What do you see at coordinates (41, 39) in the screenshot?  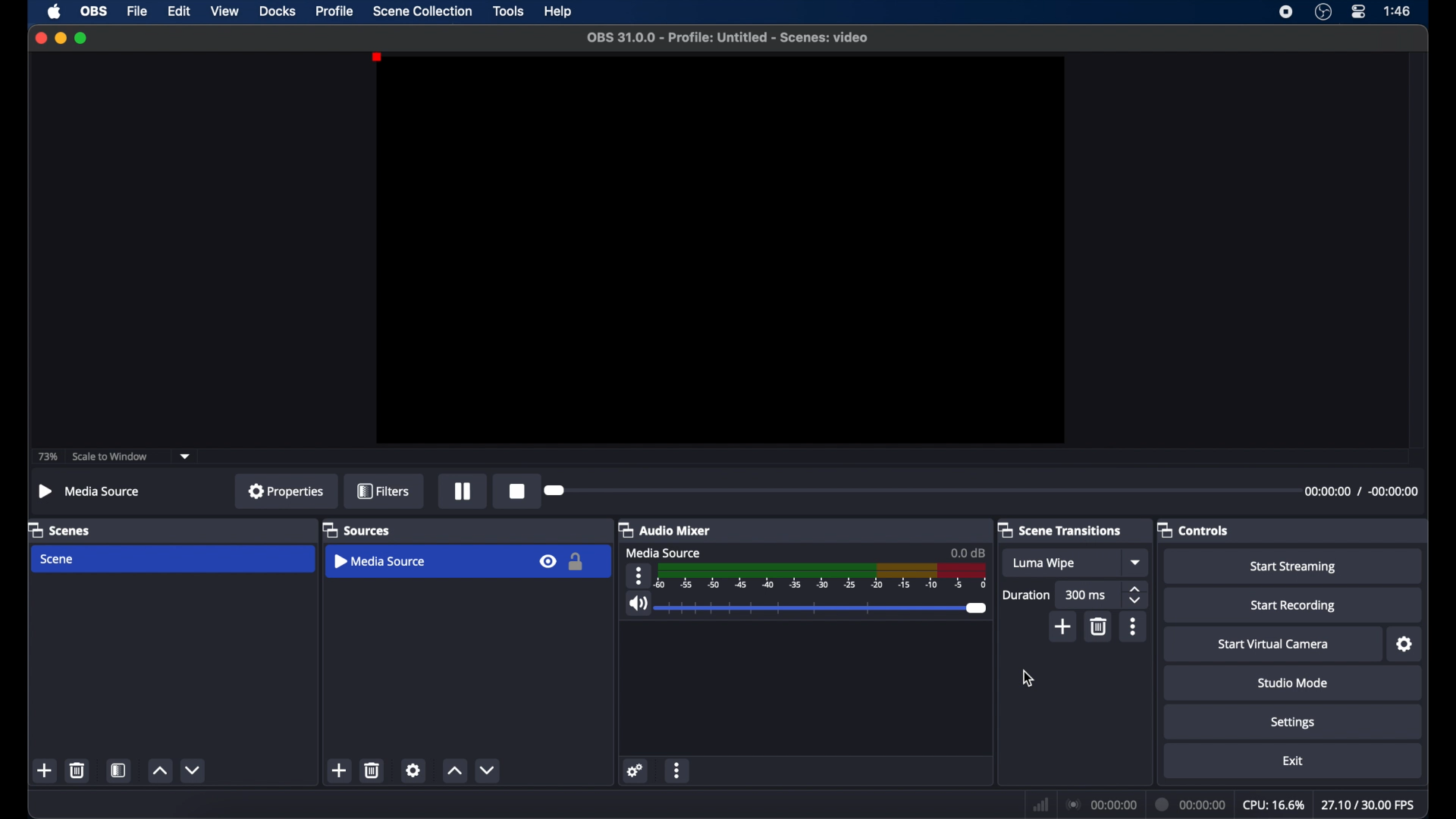 I see `close` at bounding box center [41, 39].